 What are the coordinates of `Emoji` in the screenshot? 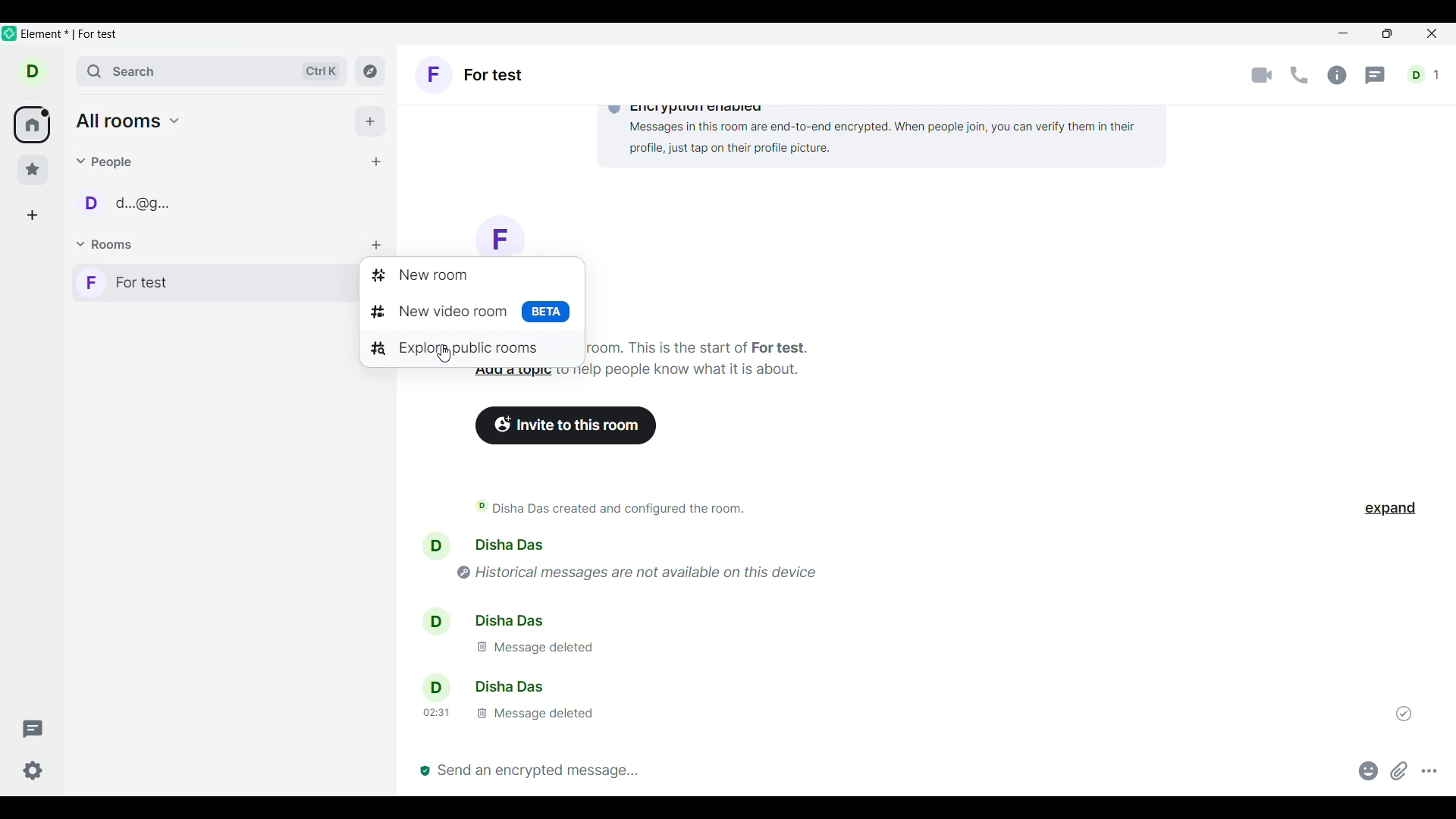 It's located at (1369, 770).